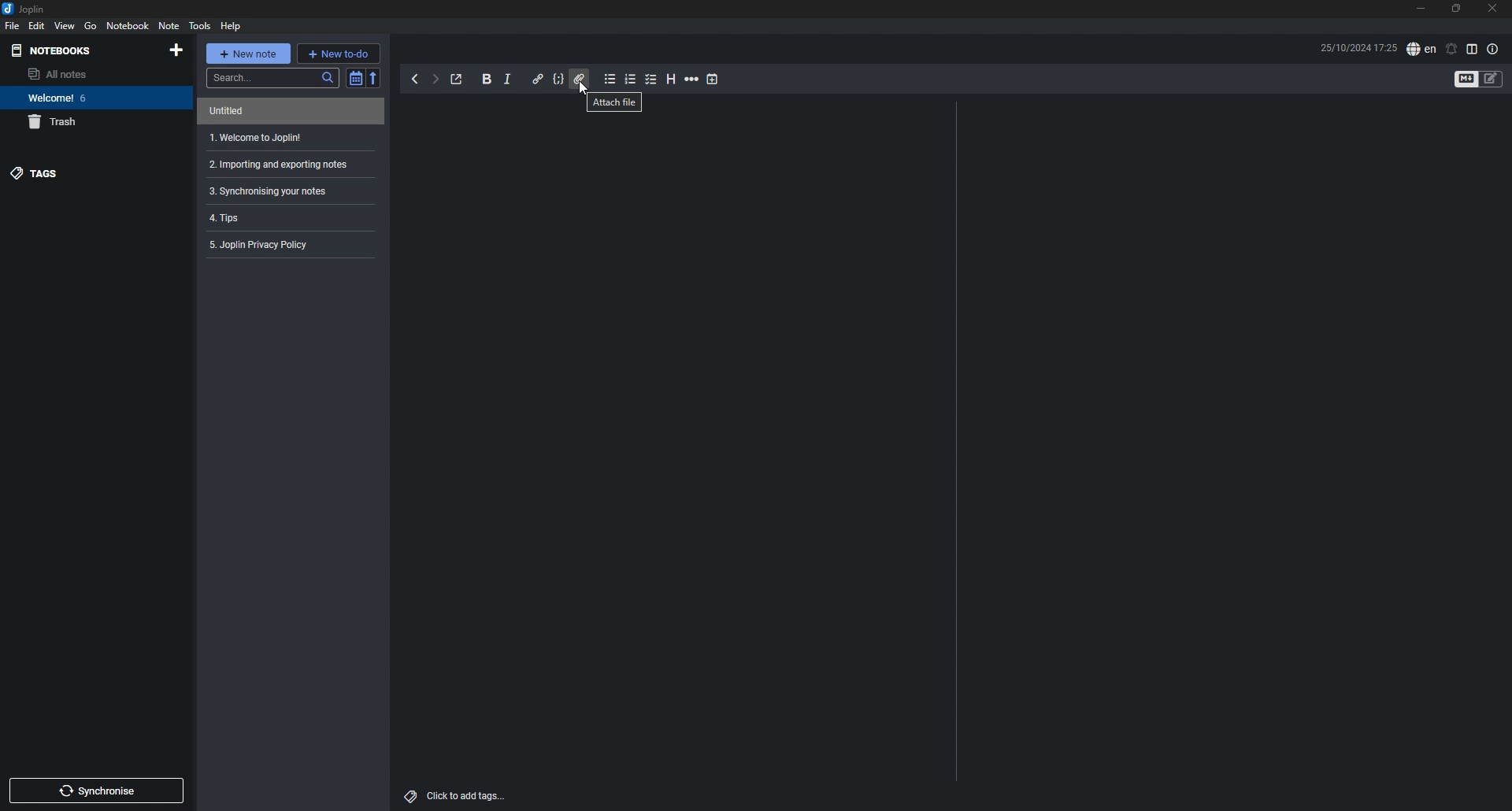  What do you see at coordinates (1458, 8) in the screenshot?
I see `resize` at bounding box center [1458, 8].